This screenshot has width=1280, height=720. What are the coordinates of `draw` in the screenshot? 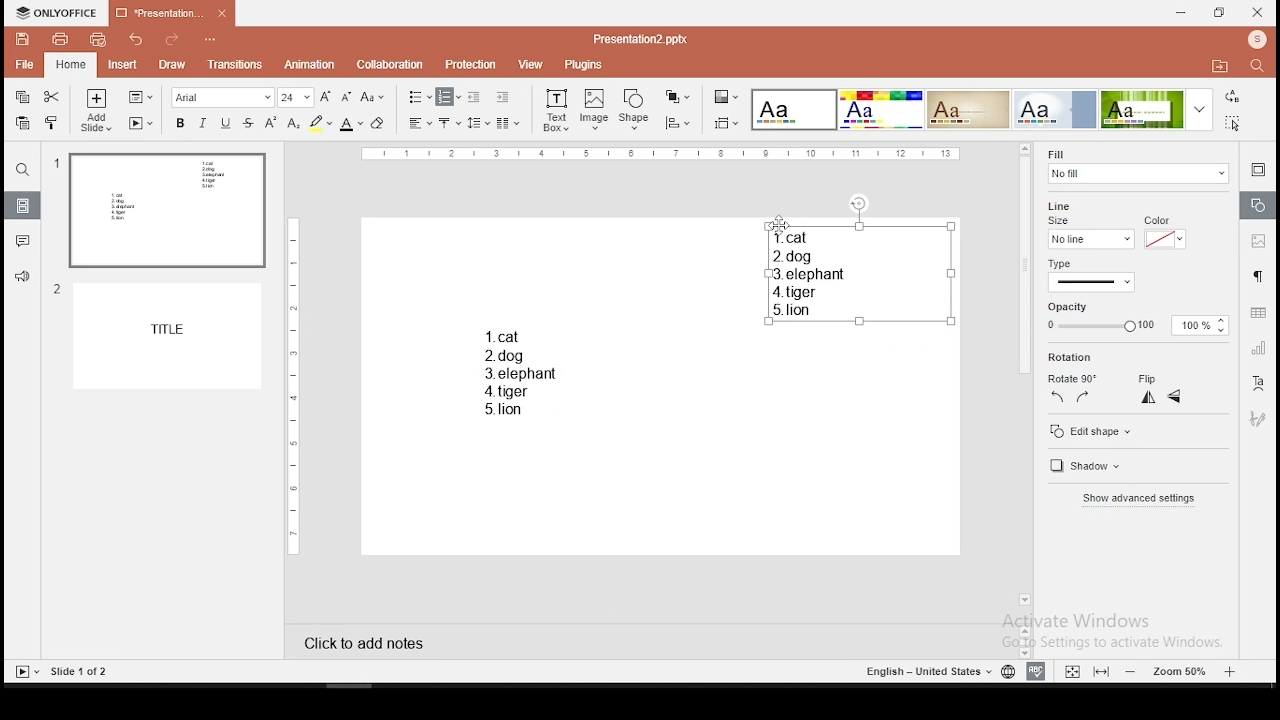 It's located at (172, 66).